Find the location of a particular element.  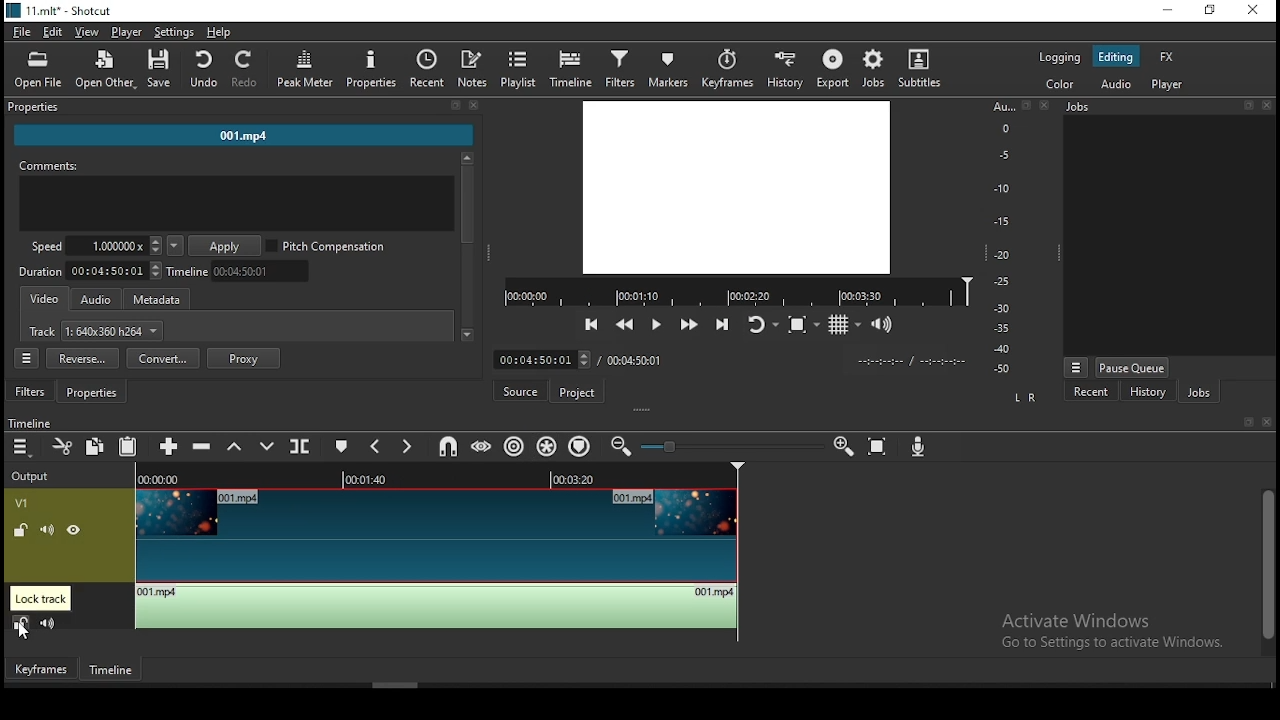

properties menu is located at coordinates (26, 358).